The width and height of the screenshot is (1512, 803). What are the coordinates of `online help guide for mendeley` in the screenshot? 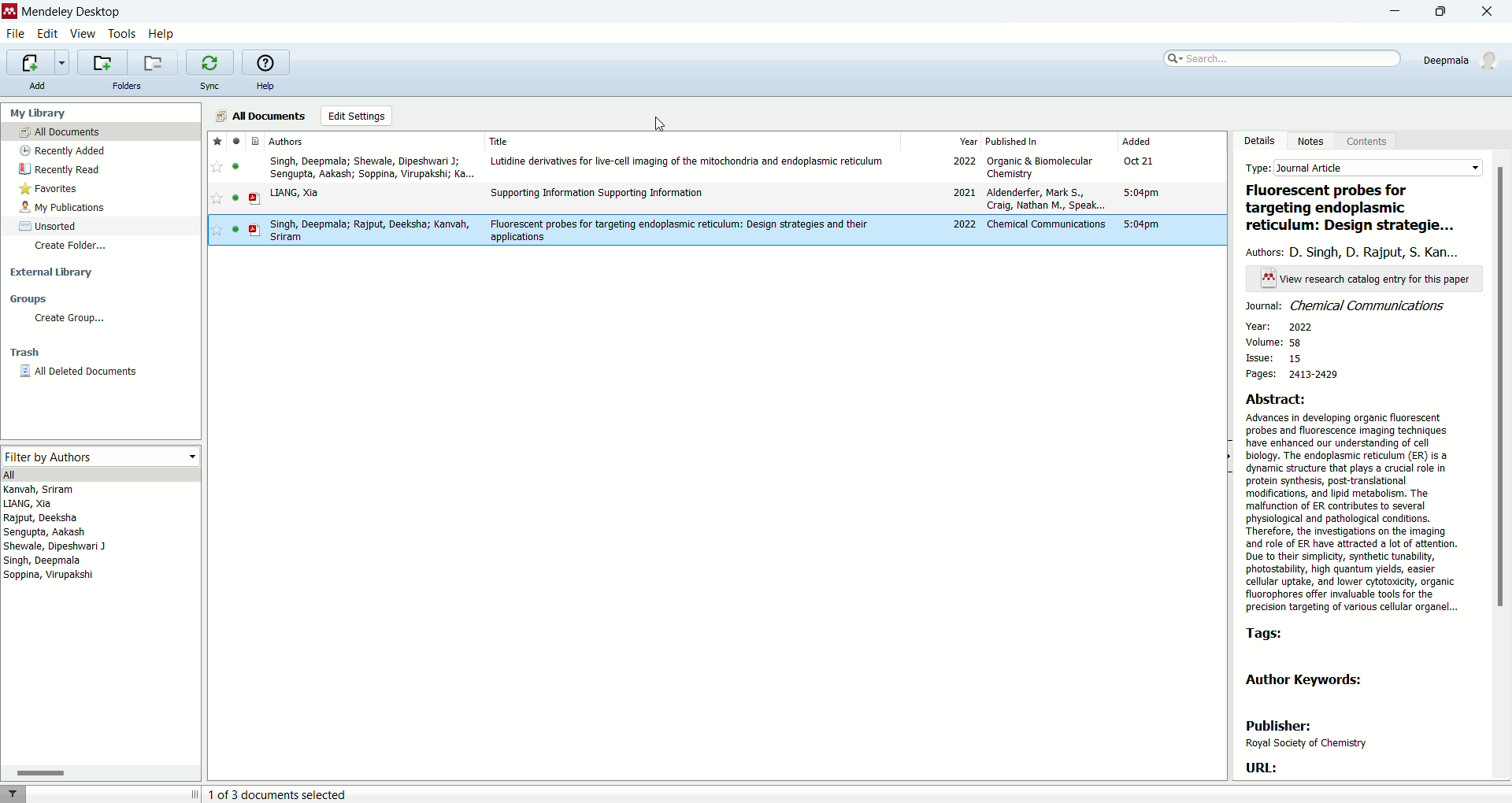 It's located at (263, 62).